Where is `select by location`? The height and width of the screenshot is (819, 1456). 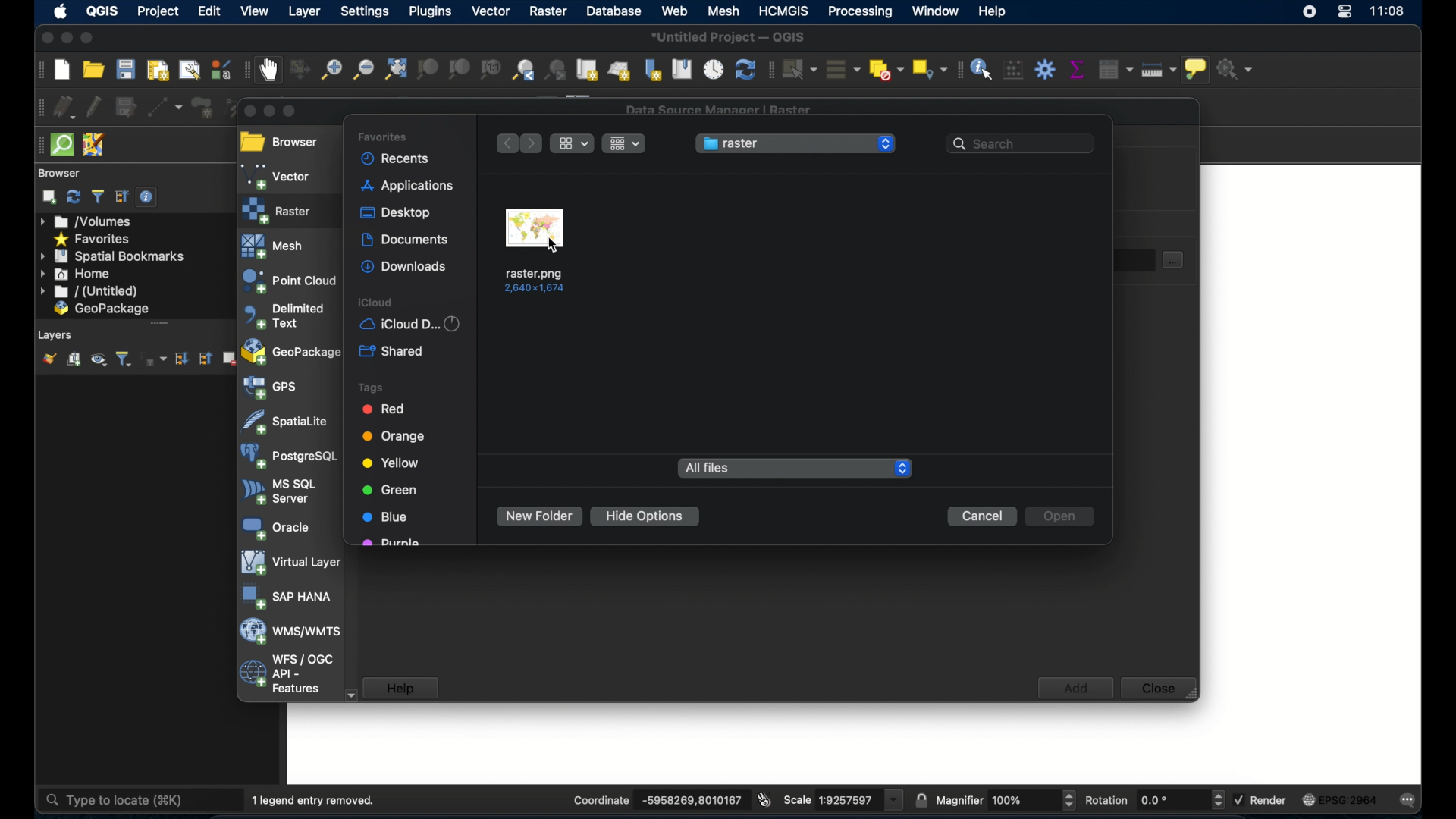 select by location is located at coordinates (927, 69).